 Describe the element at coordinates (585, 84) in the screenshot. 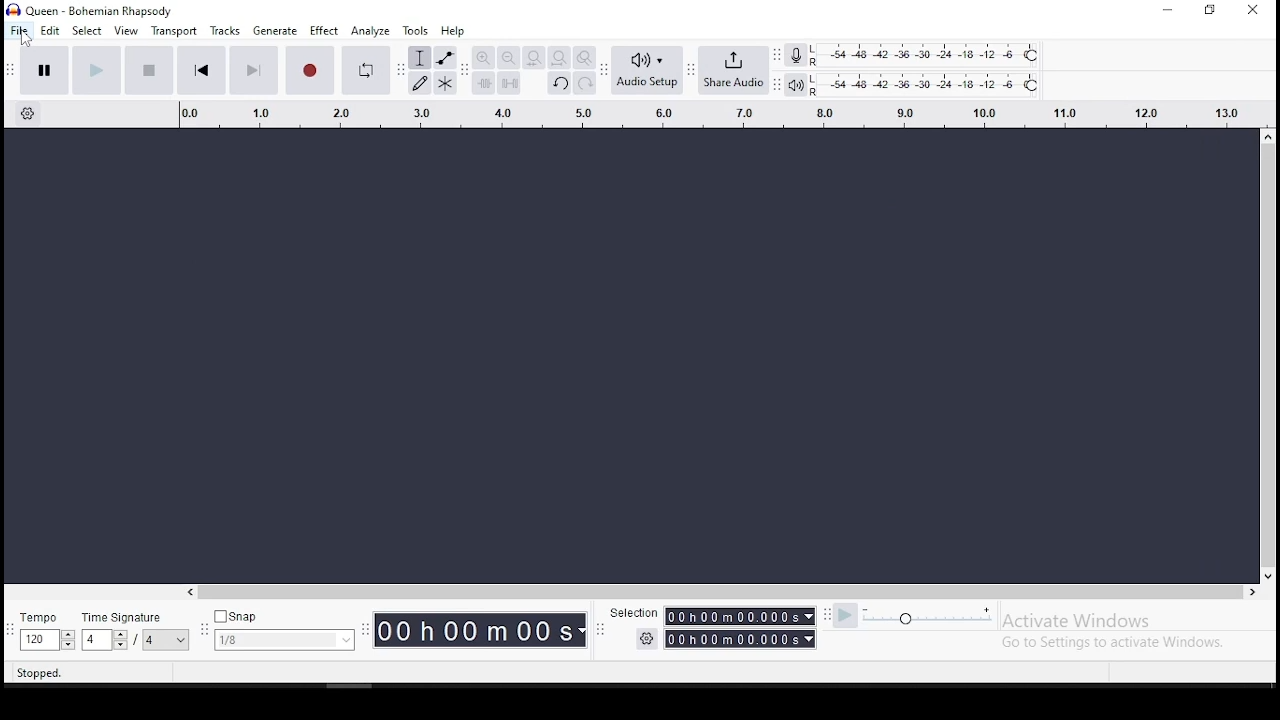

I see `redo` at that location.